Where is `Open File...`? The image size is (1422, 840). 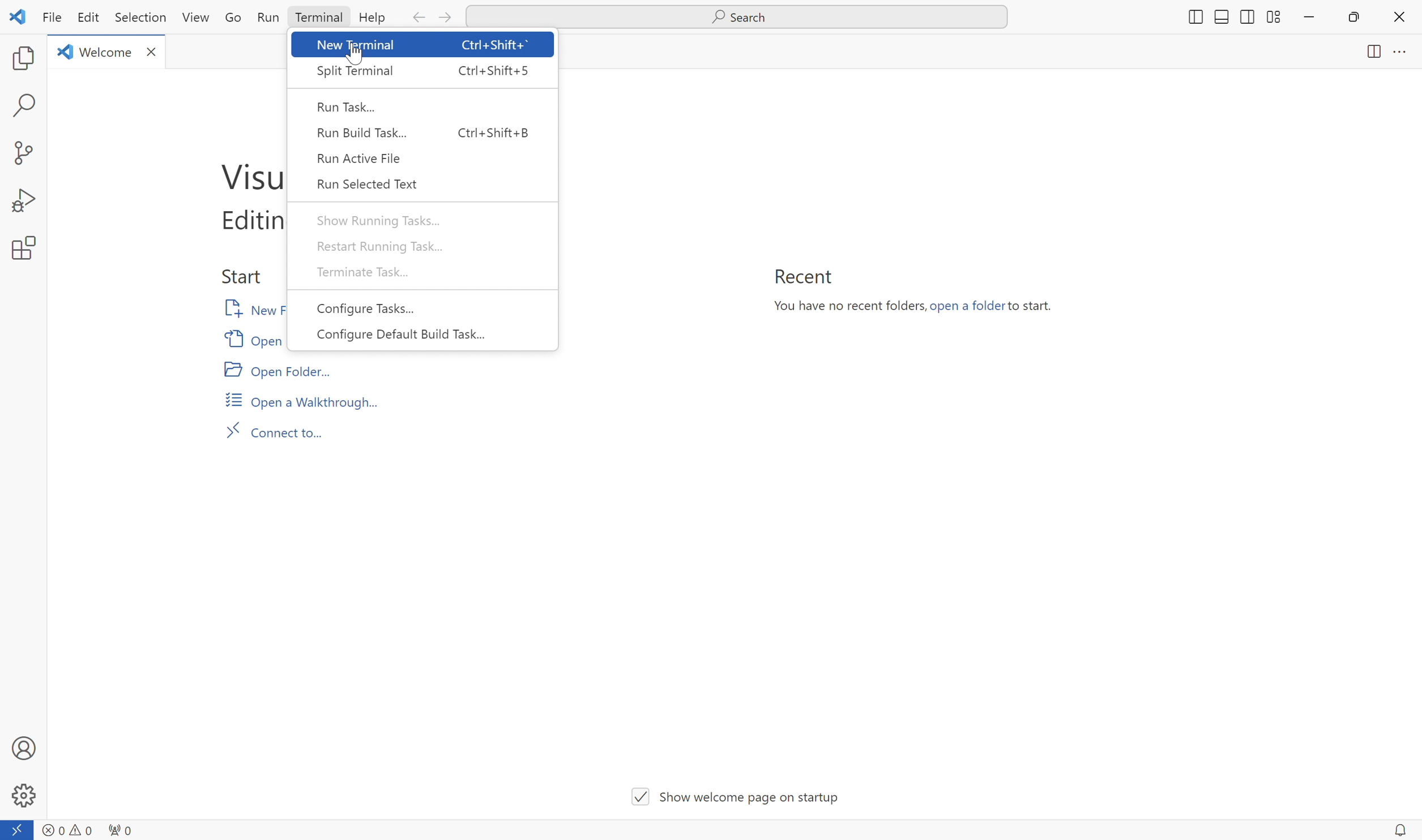
Open File... is located at coordinates (252, 338).